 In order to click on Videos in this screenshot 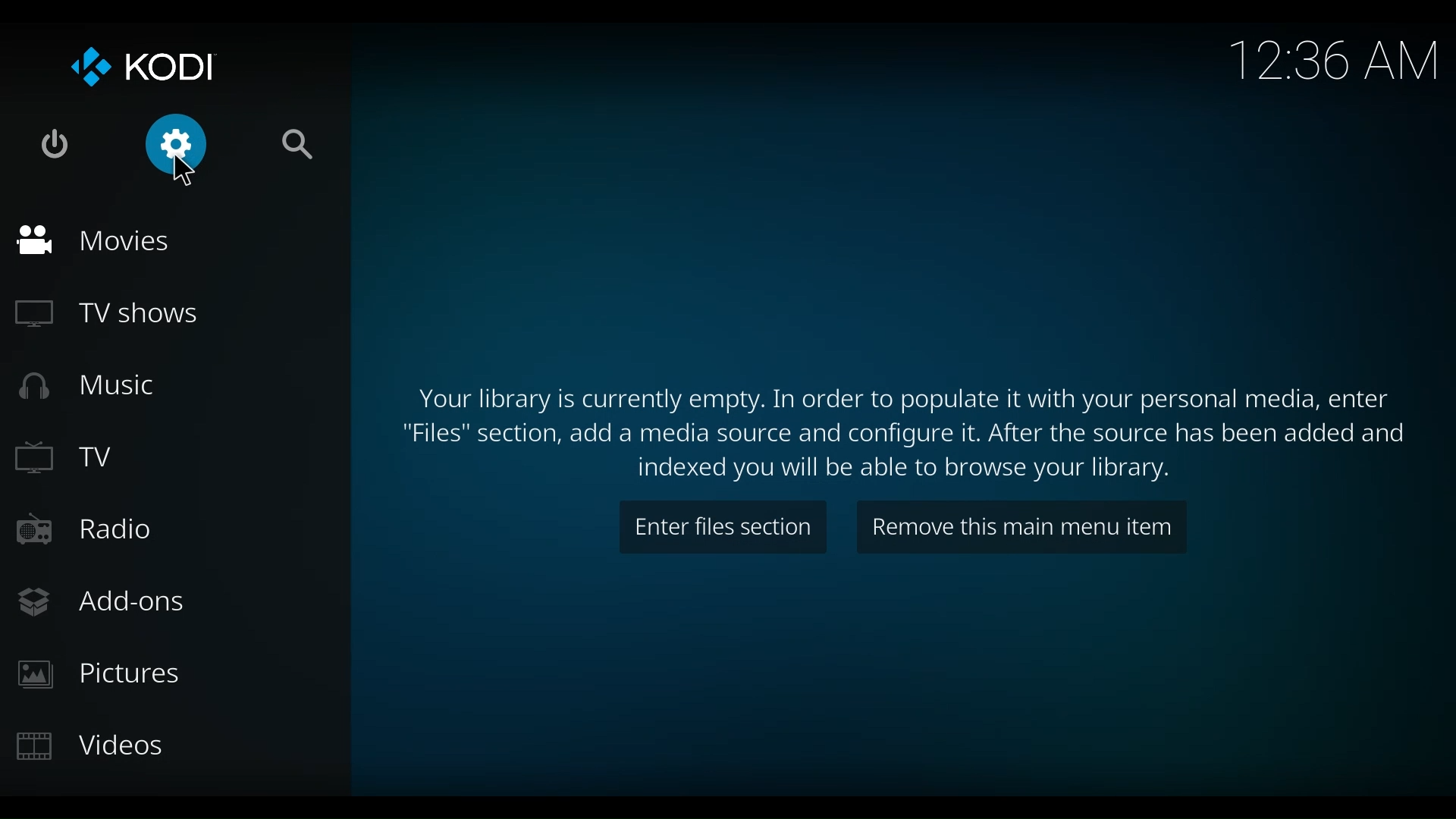, I will do `click(88, 745)`.